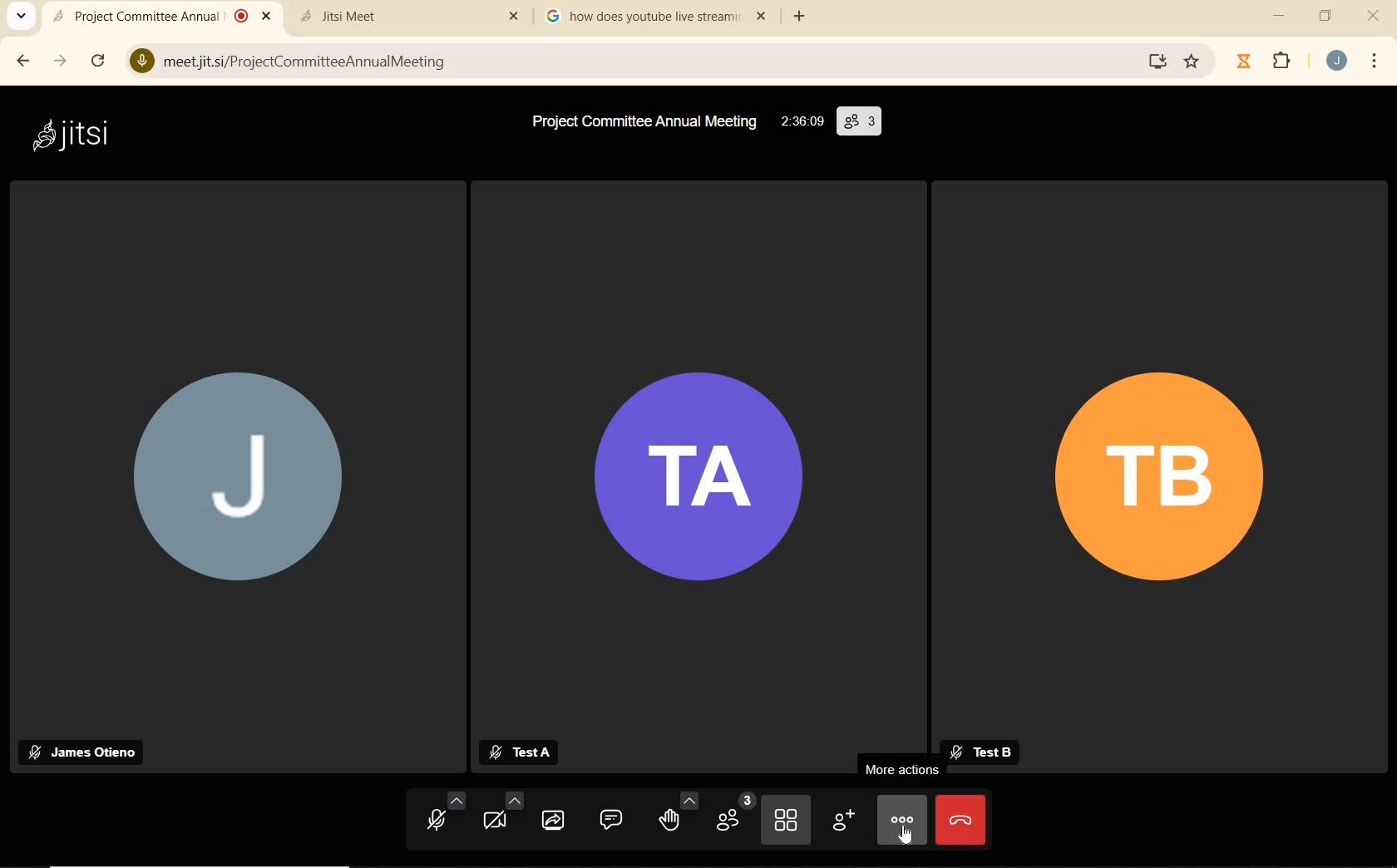  What do you see at coordinates (797, 17) in the screenshot?
I see `ADD TAB` at bounding box center [797, 17].